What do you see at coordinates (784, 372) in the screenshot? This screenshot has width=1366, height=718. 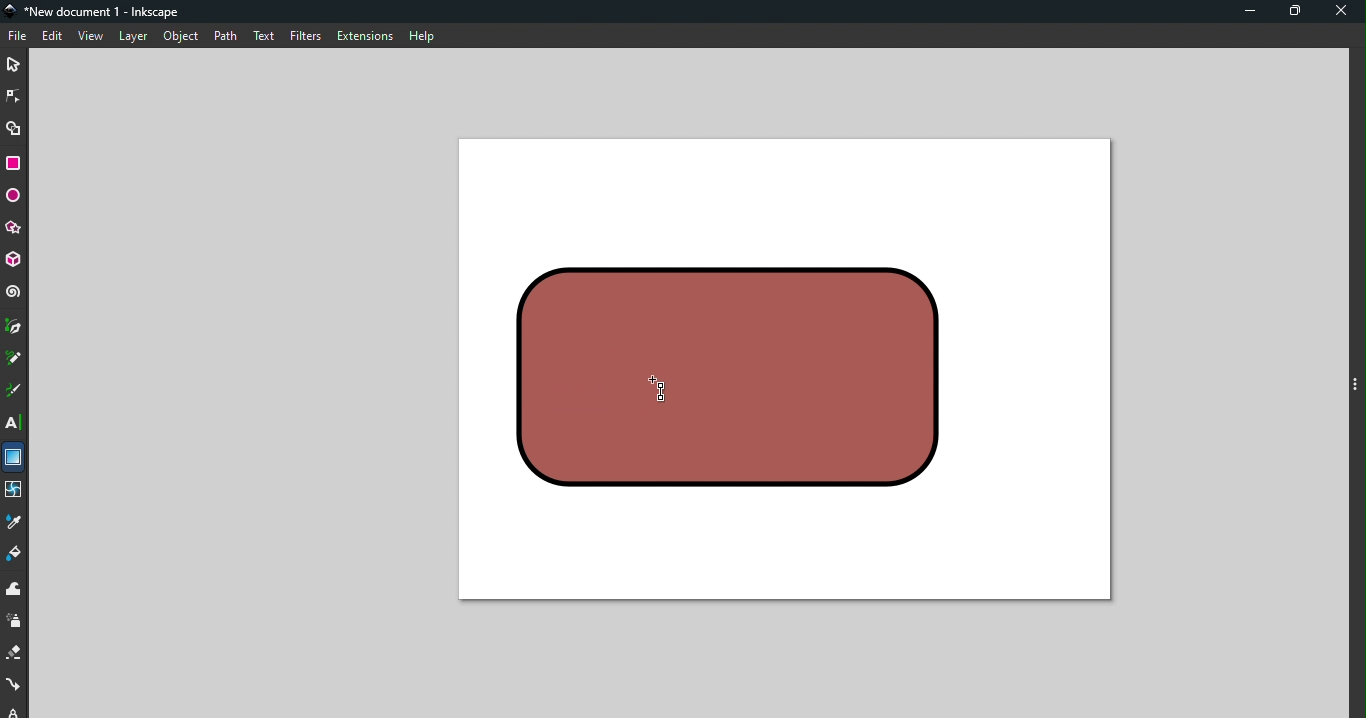 I see `Canvas` at bounding box center [784, 372].